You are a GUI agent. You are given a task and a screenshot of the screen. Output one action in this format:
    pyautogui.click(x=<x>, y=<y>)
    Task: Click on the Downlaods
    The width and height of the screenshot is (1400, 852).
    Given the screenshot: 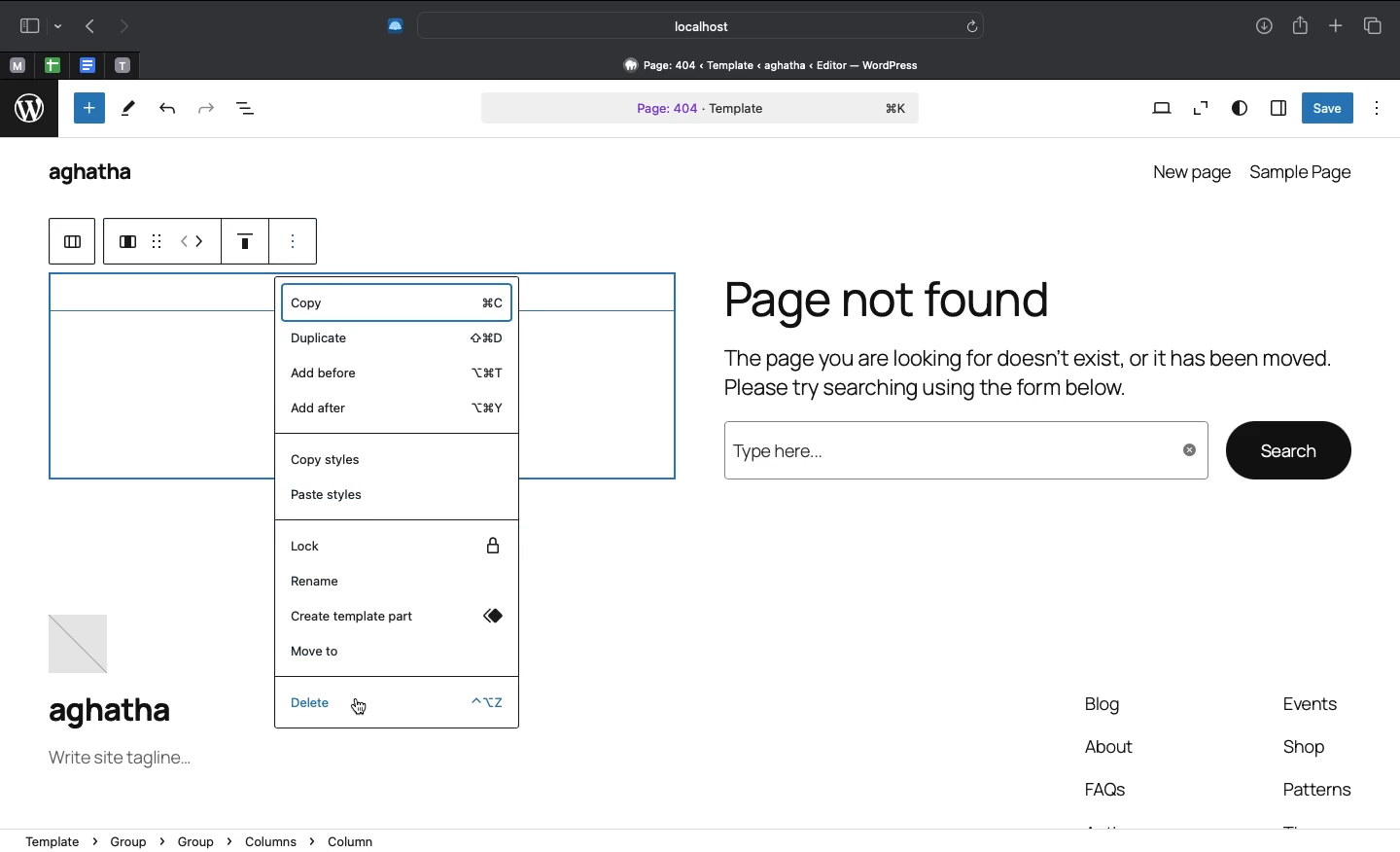 What is the action you would take?
    pyautogui.click(x=1264, y=28)
    